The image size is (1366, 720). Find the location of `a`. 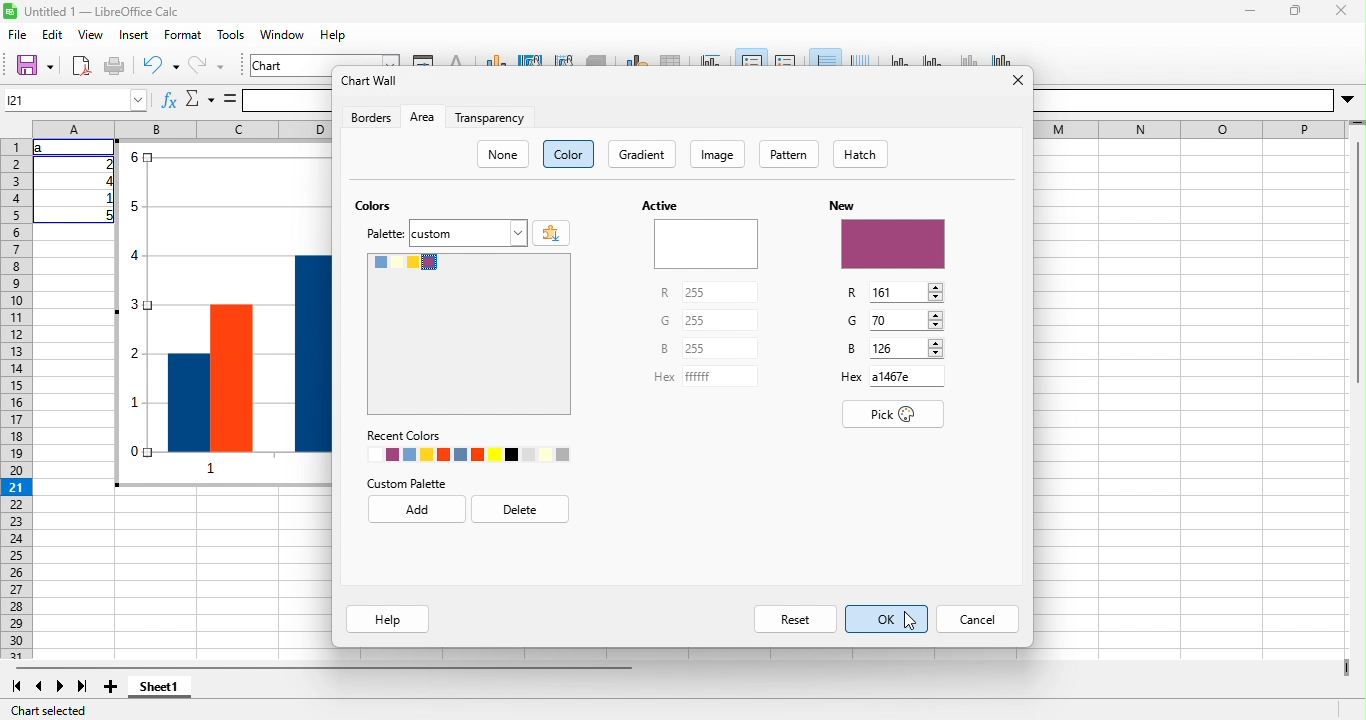

a is located at coordinates (42, 148).